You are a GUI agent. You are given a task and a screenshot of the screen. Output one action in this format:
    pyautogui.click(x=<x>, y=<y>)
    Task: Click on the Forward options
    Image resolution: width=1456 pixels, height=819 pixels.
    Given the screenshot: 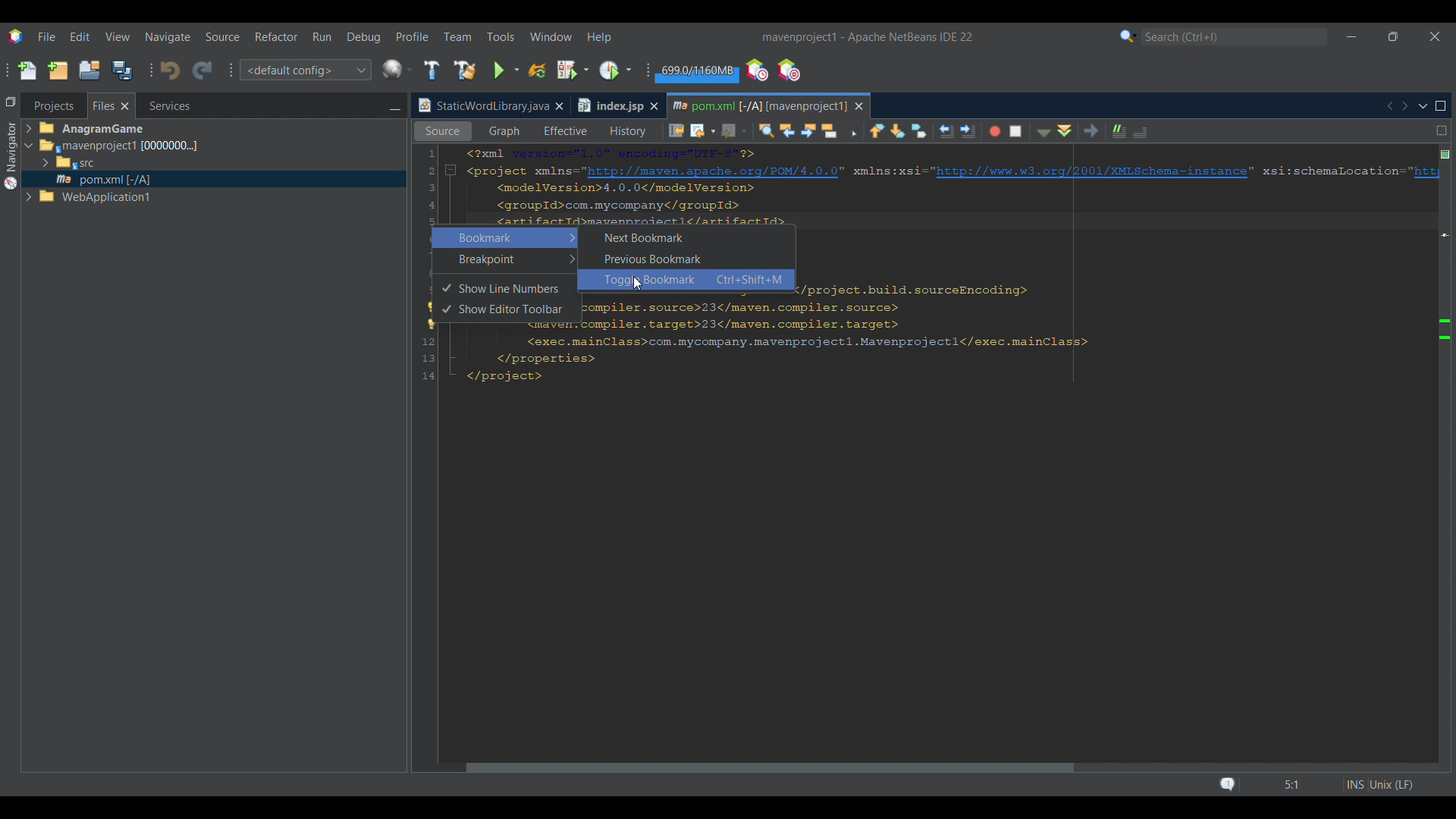 What is the action you would take?
    pyautogui.click(x=730, y=130)
    